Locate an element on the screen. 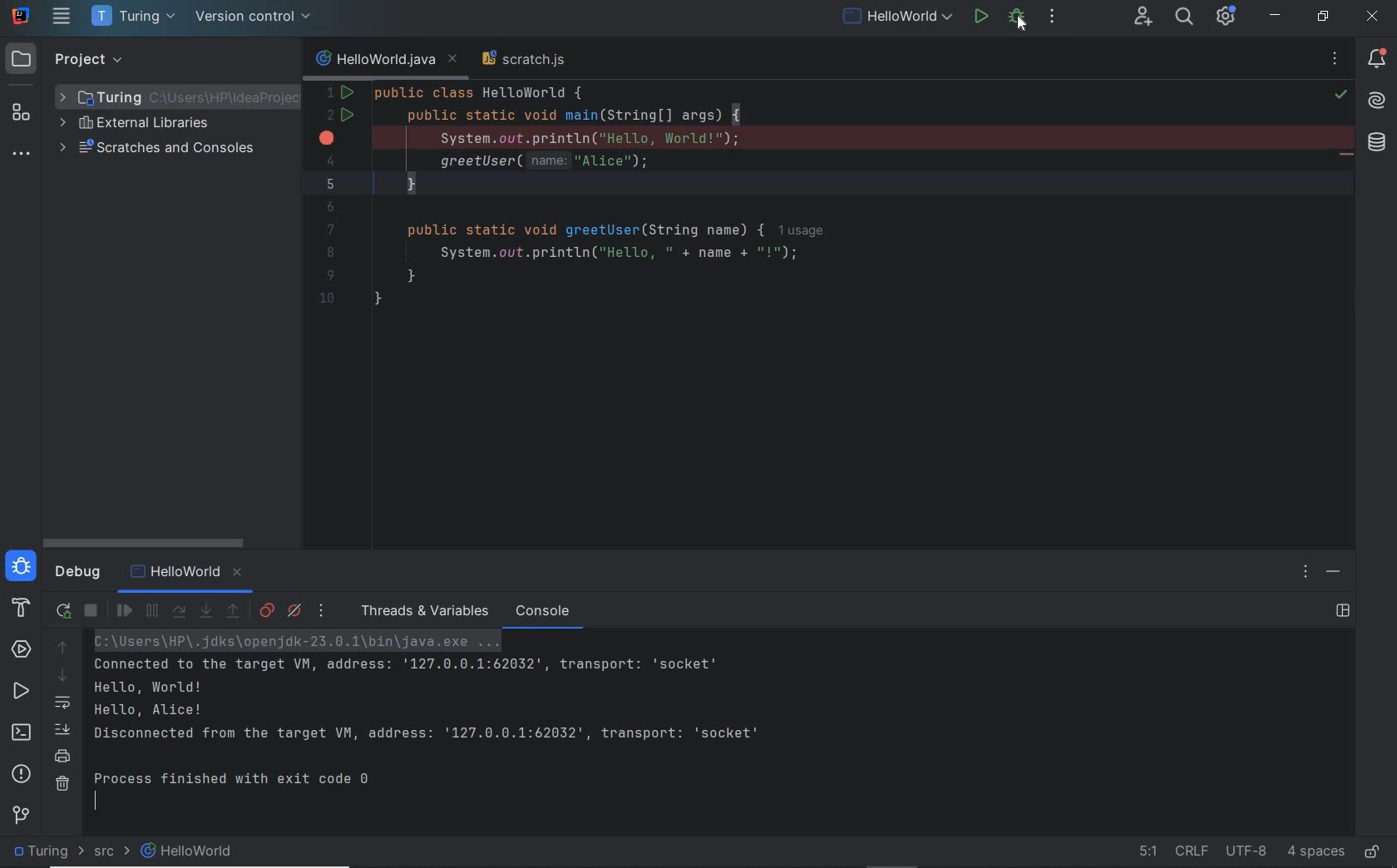 This screenshot has width=1397, height=868. step through process finished successfully is located at coordinates (476, 724).